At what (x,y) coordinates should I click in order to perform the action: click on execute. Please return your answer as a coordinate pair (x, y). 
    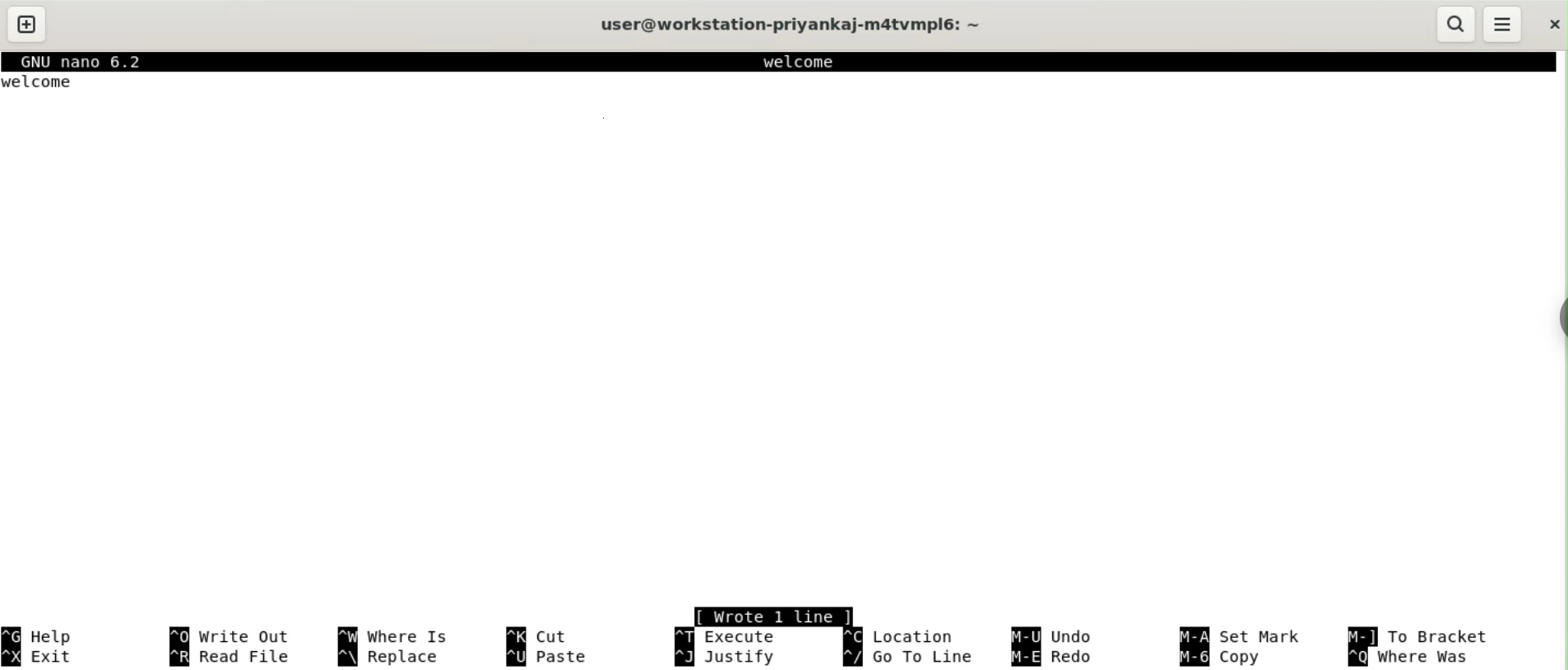
    Looking at the image, I should click on (725, 636).